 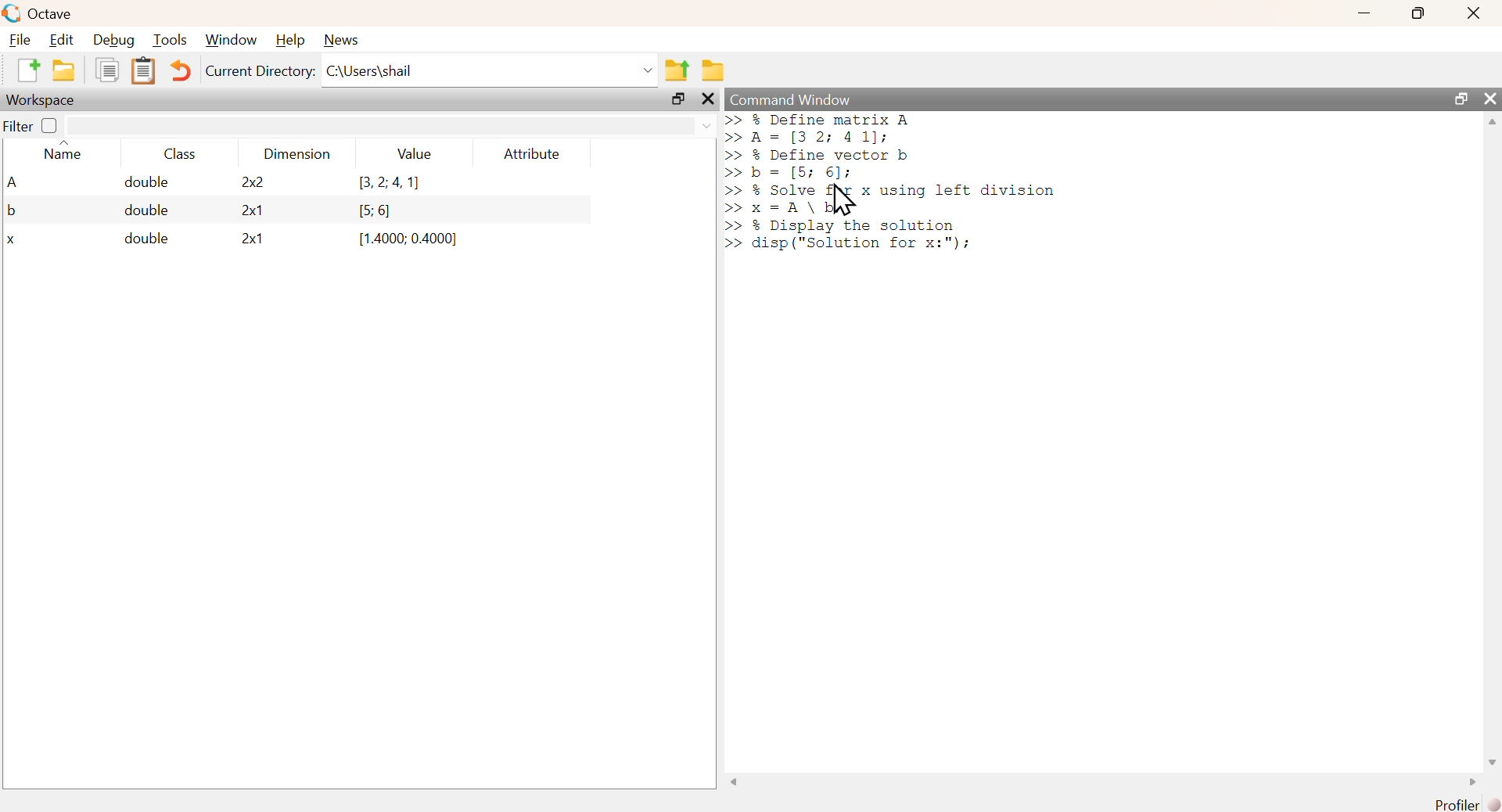 I want to click on class, so click(x=178, y=156).